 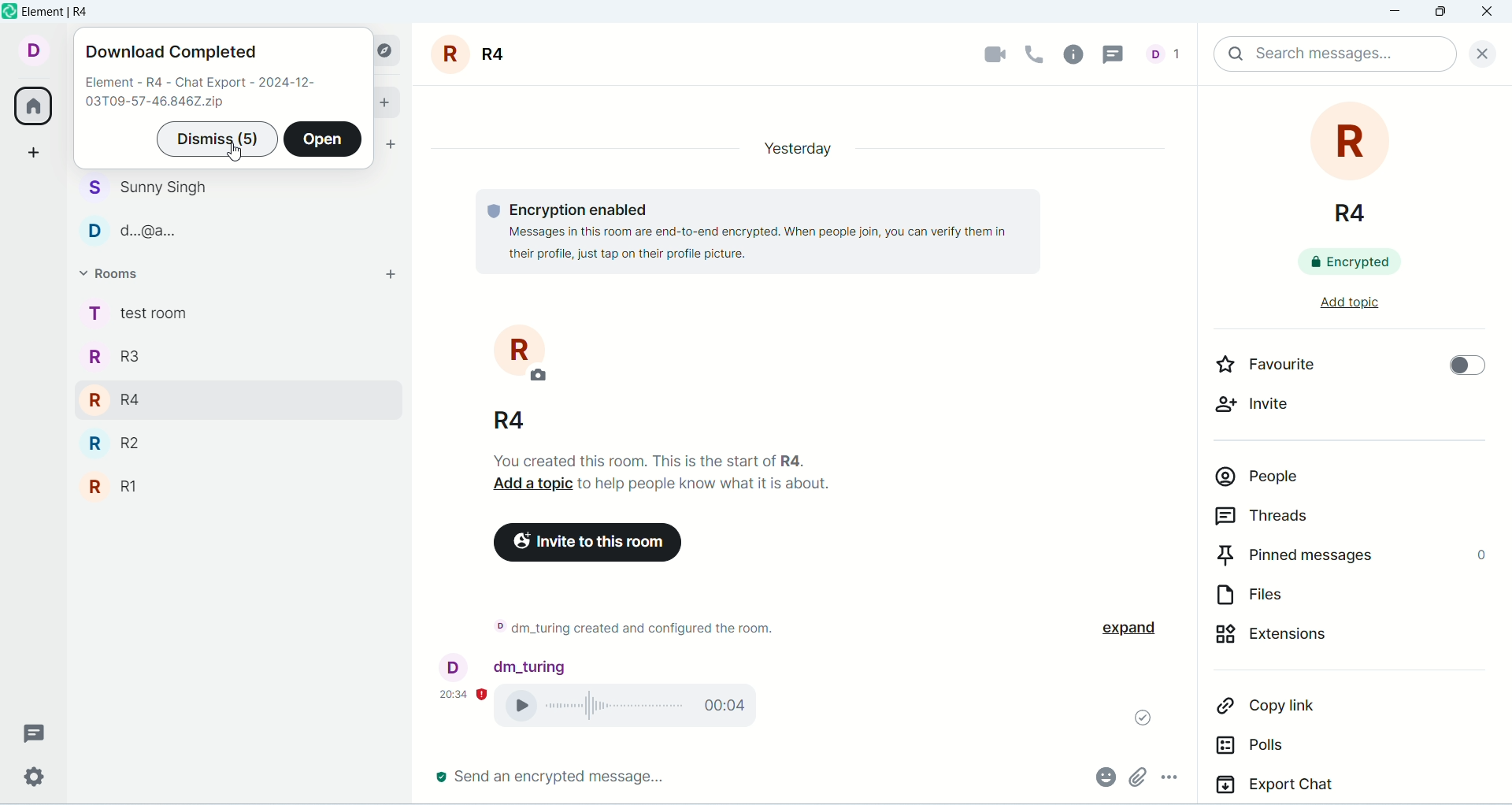 I want to click on expand, so click(x=1140, y=629).